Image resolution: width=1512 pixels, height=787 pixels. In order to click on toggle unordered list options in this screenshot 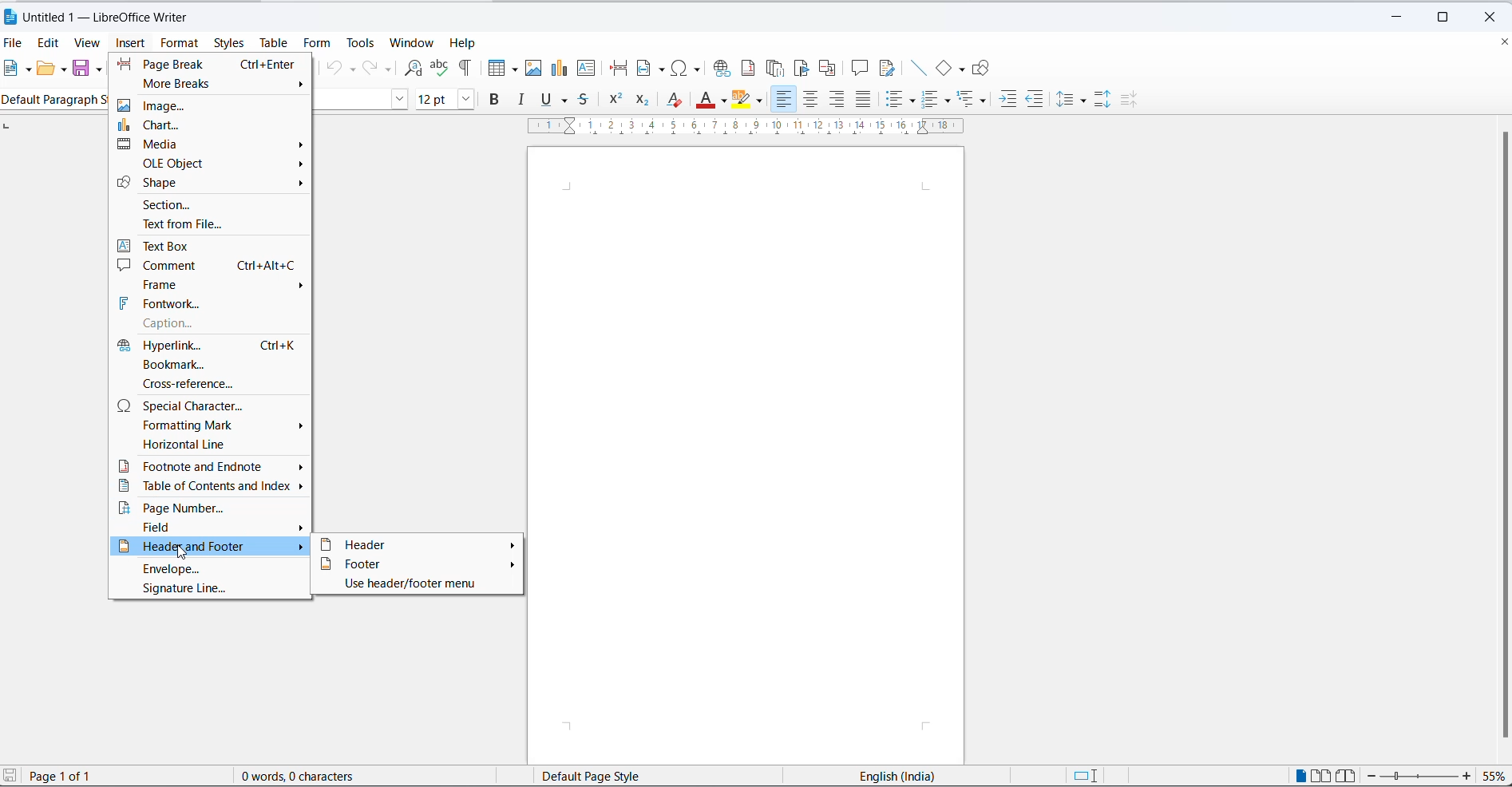, I will do `click(914, 101)`.